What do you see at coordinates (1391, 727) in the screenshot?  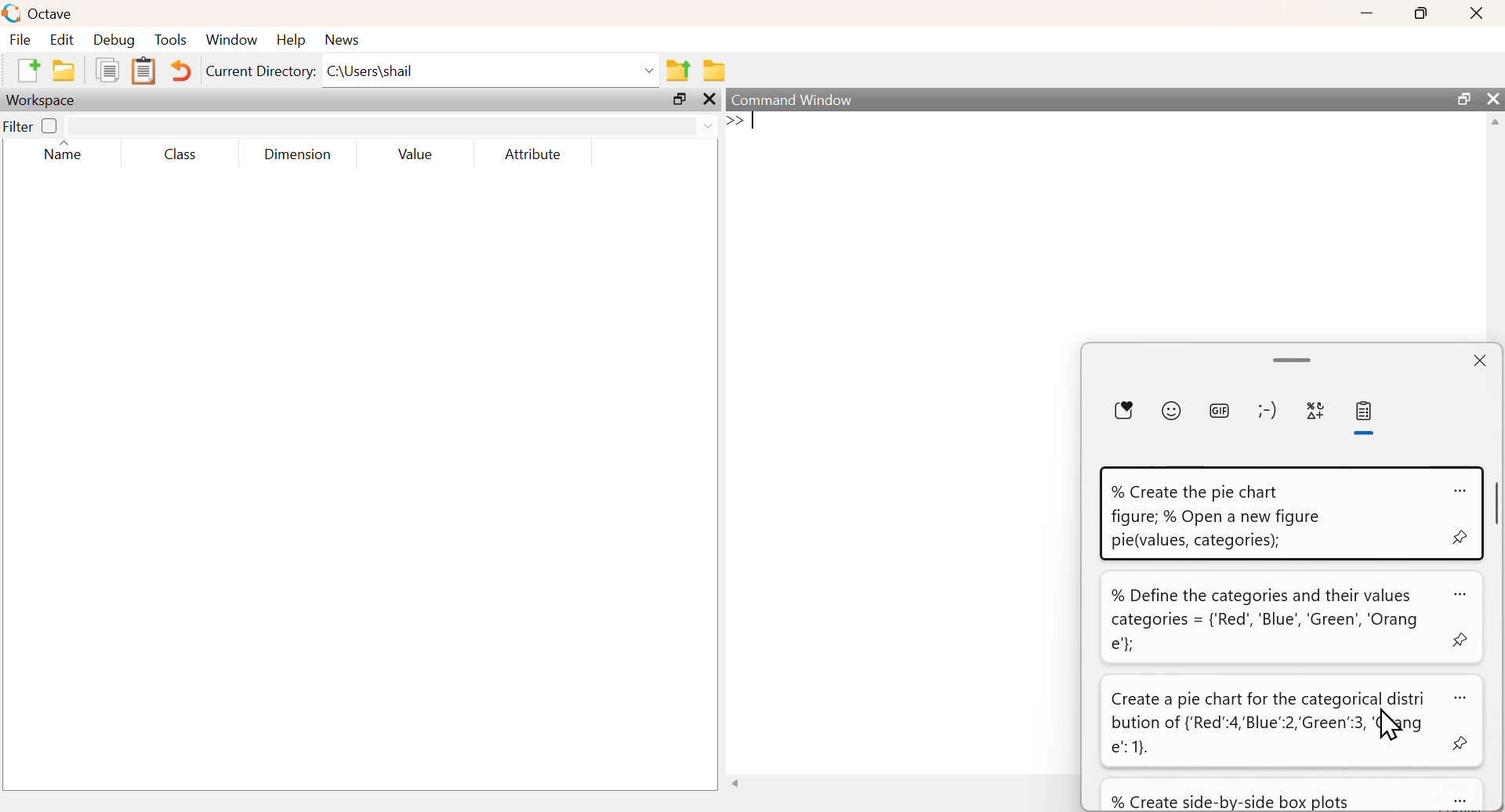 I see `cursor` at bounding box center [1391, 727].